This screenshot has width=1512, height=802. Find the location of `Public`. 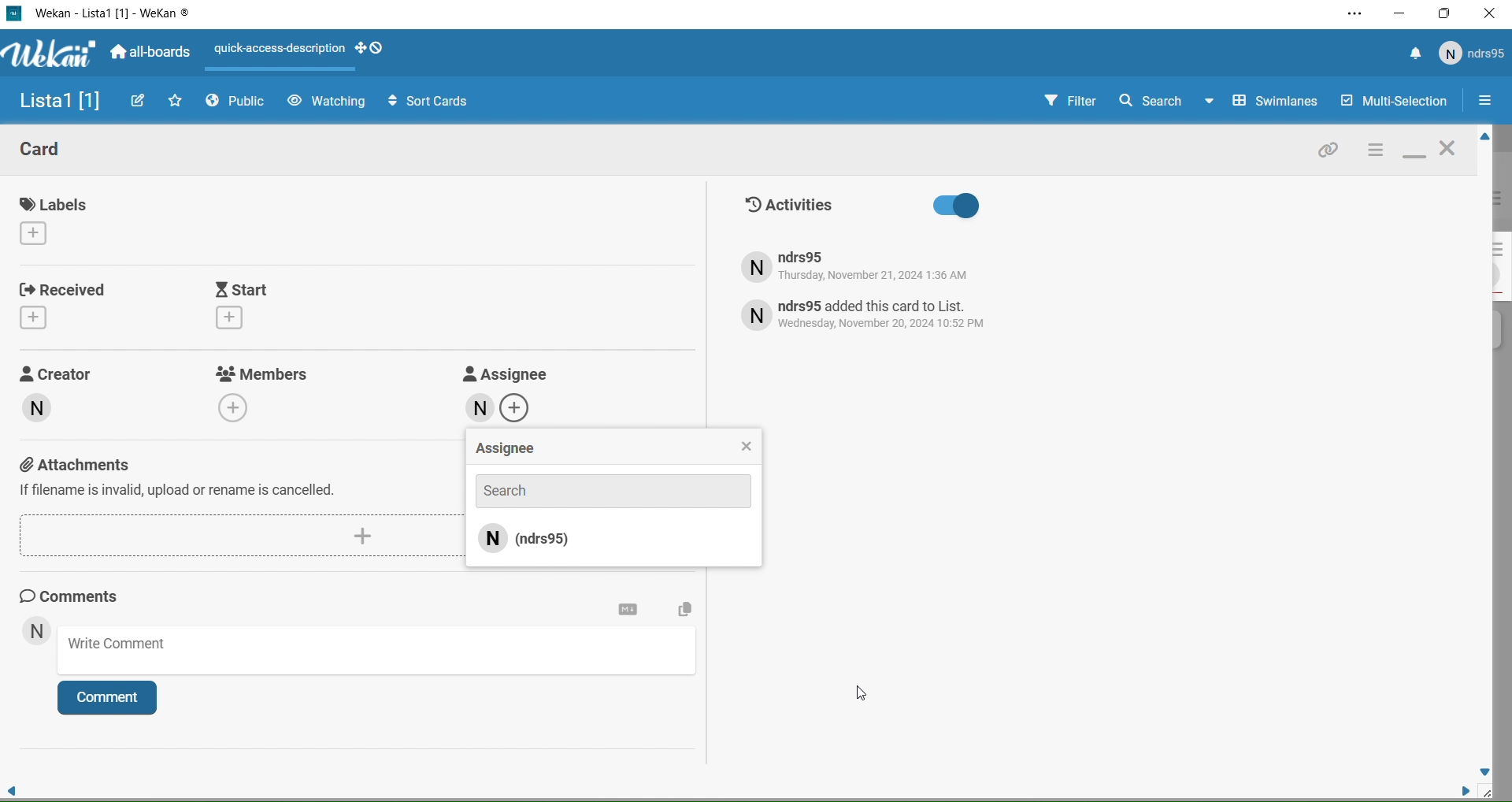

Public is located at coordinates (239, 103).